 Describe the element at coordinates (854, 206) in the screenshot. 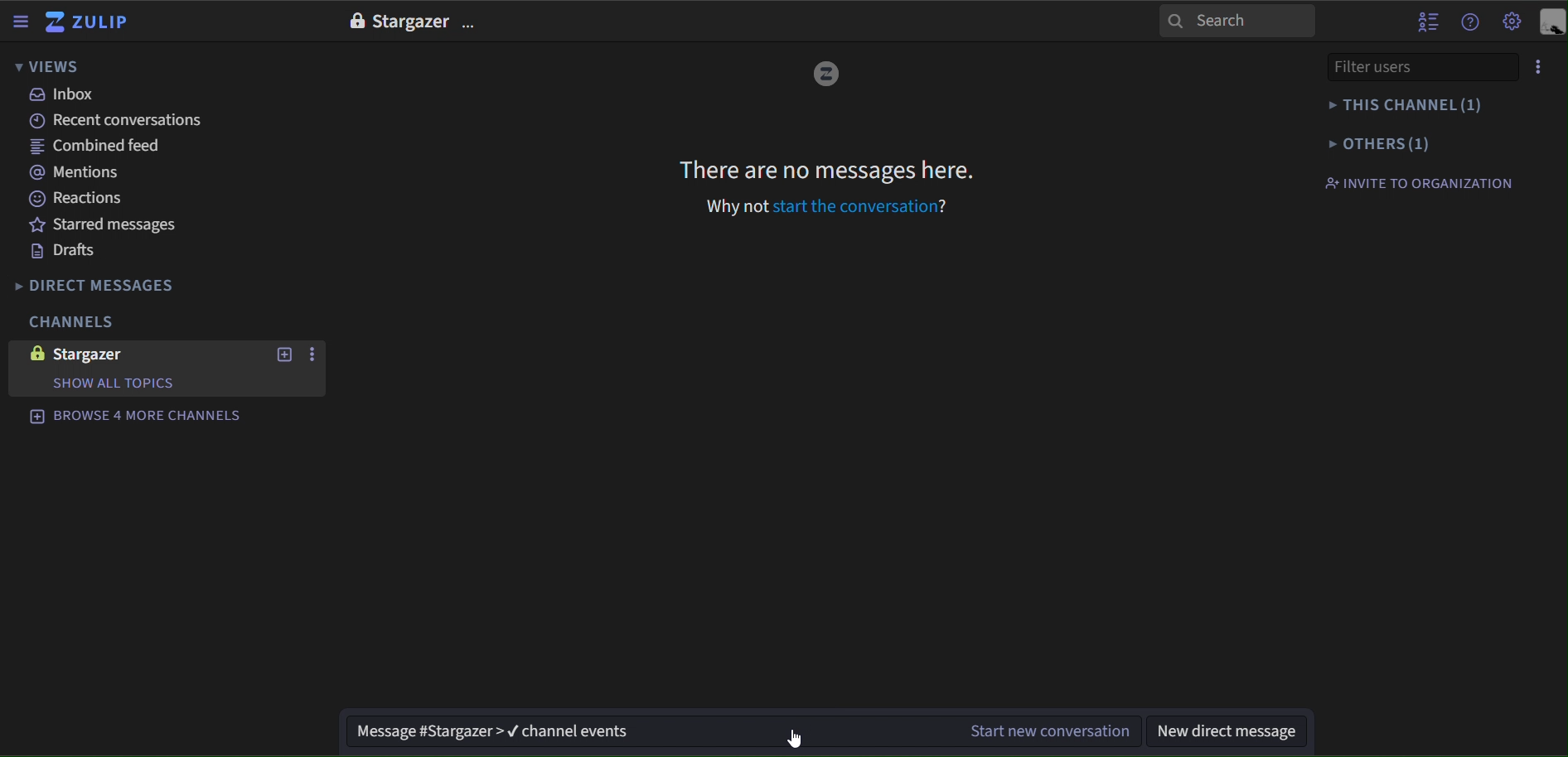

I see `start the conversation` at that location.